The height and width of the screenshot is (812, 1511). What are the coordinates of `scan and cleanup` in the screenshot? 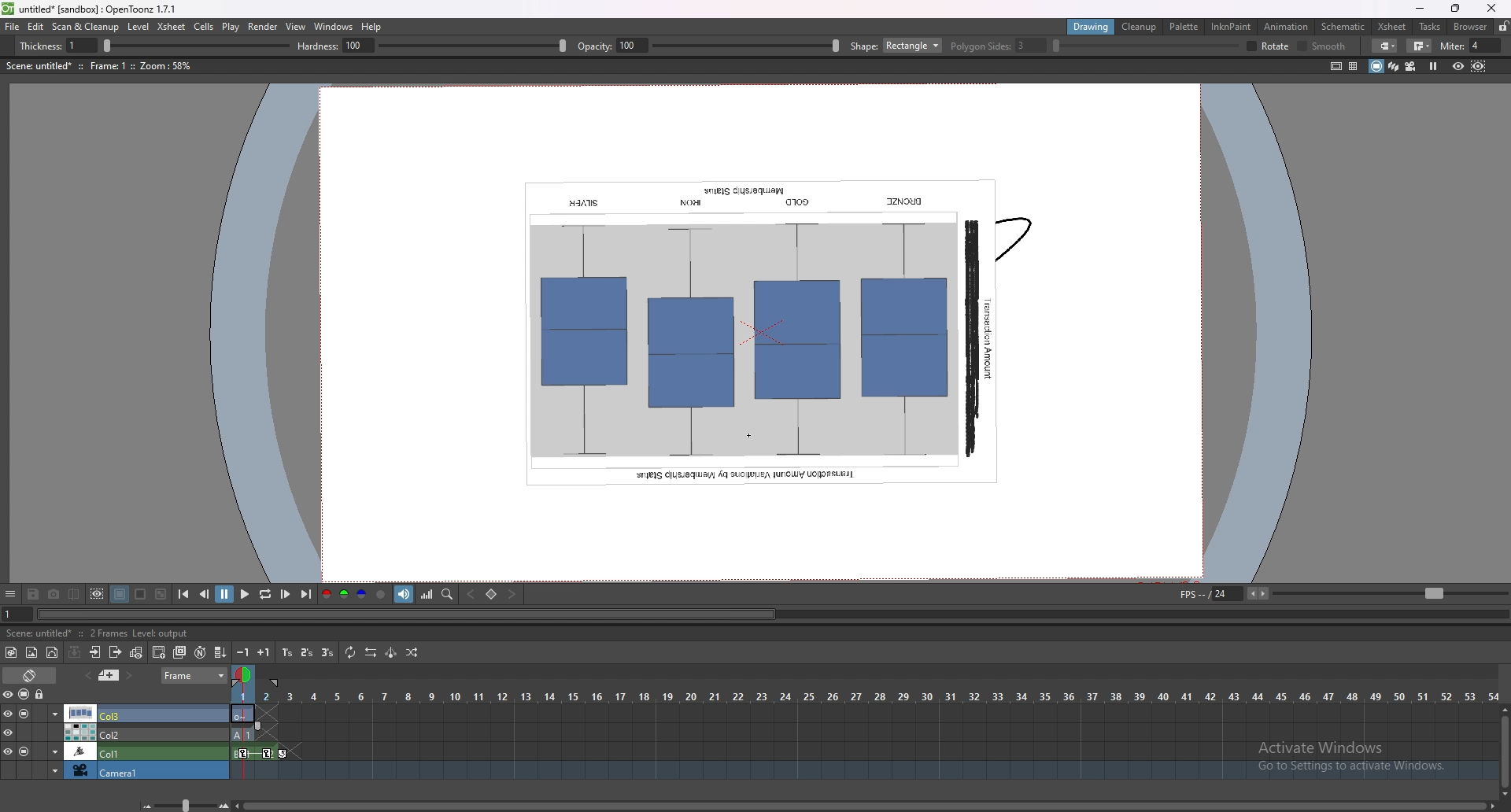 It's located at (85, 27).